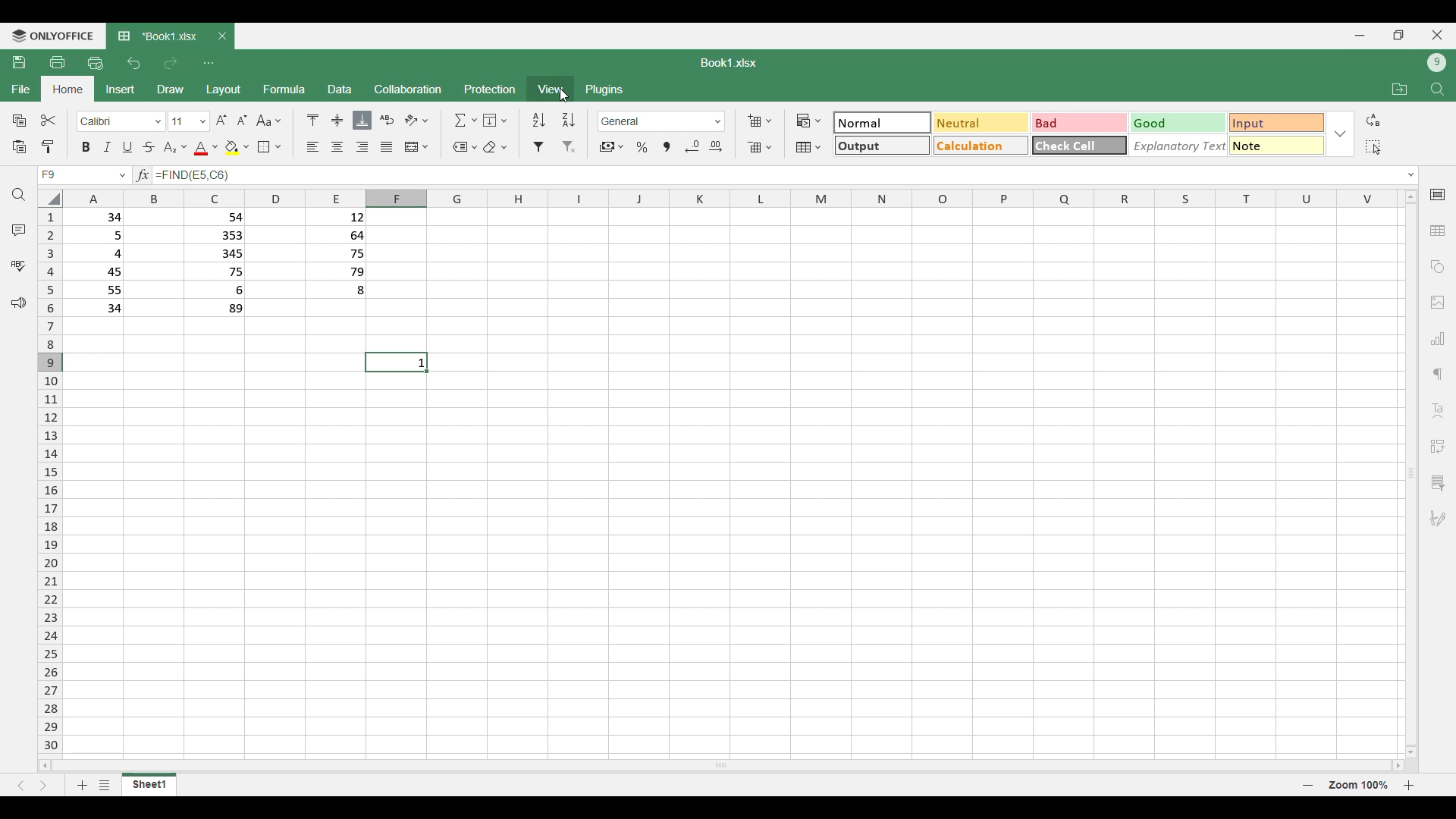 The width and height of the screenshot is (1456, 819). What do you see at coordinates (464, 148) in the screenshot?
I see `Named ranges` at bounding box center [464, 148].